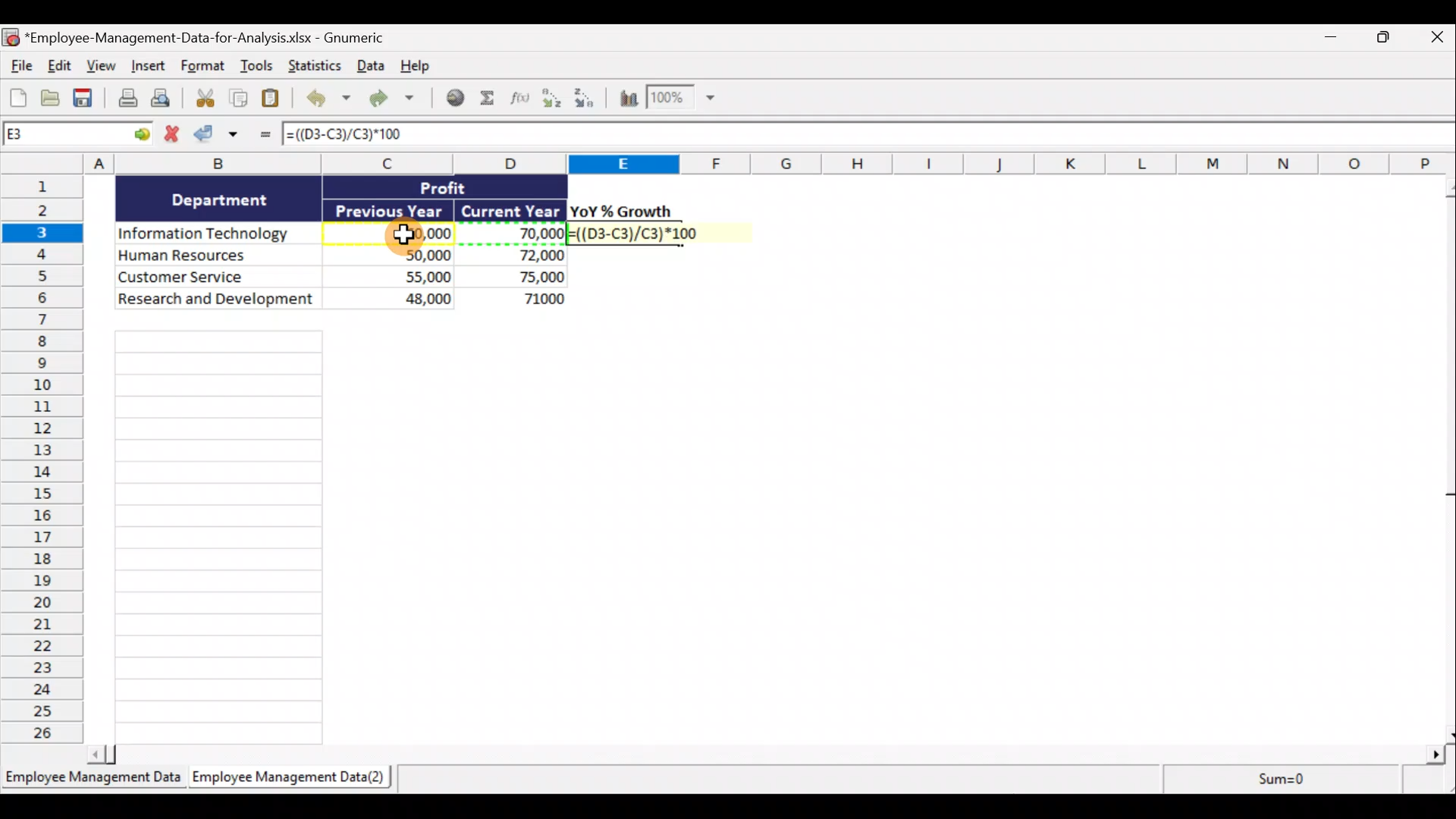 The height and width of the screenshot is (819, 1456). I want to click on Sort Descending, so click(587, 100).